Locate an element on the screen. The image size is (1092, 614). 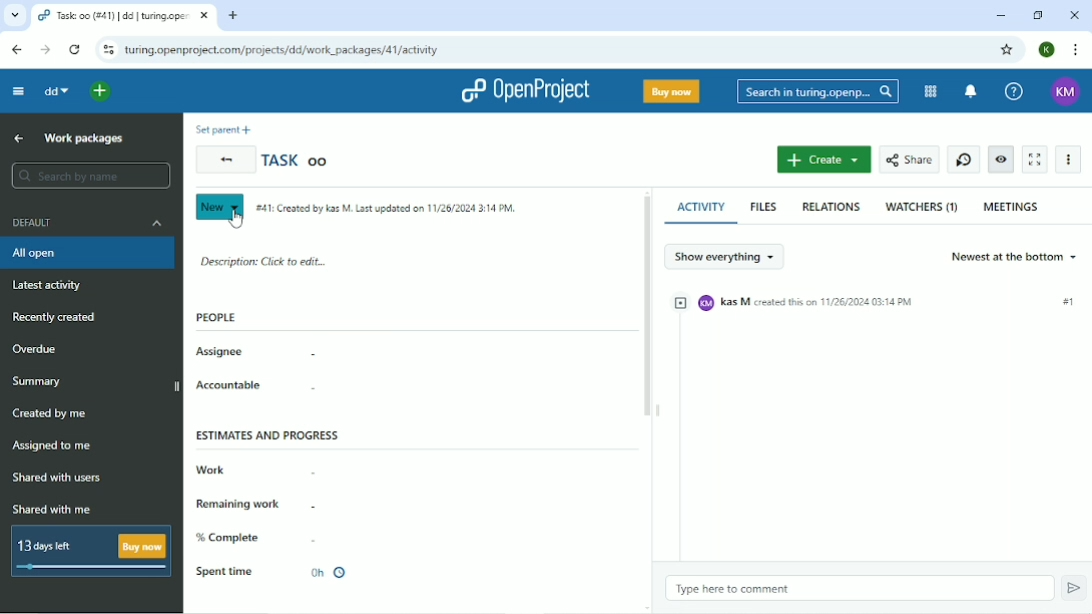
Vertical scrollbar  is located at coordinates (646, 309).